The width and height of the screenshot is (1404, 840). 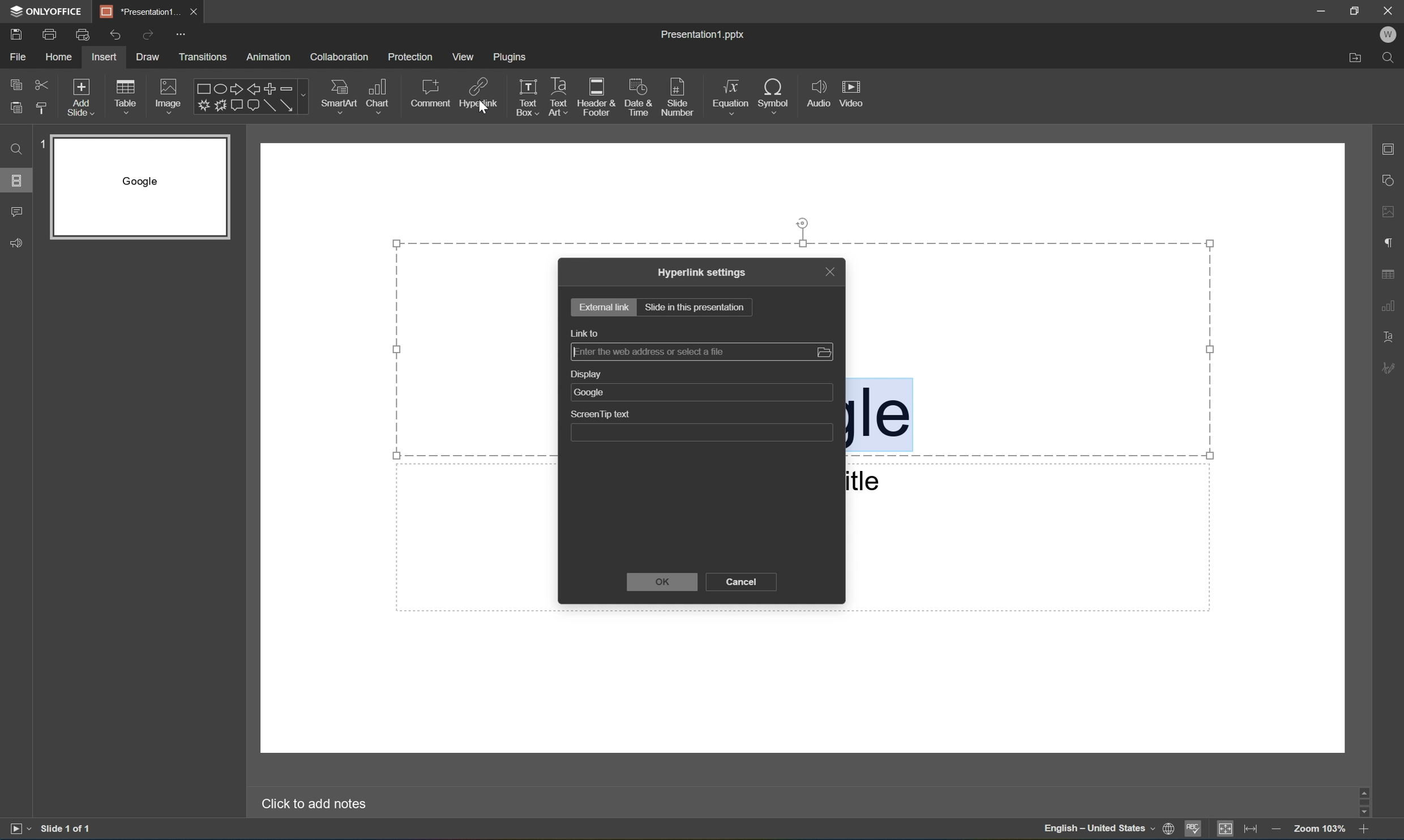 What do you see at coordinates (1279, 830) in the screenshot?
I see `Zoom out` at bounding box center [1279, 830].